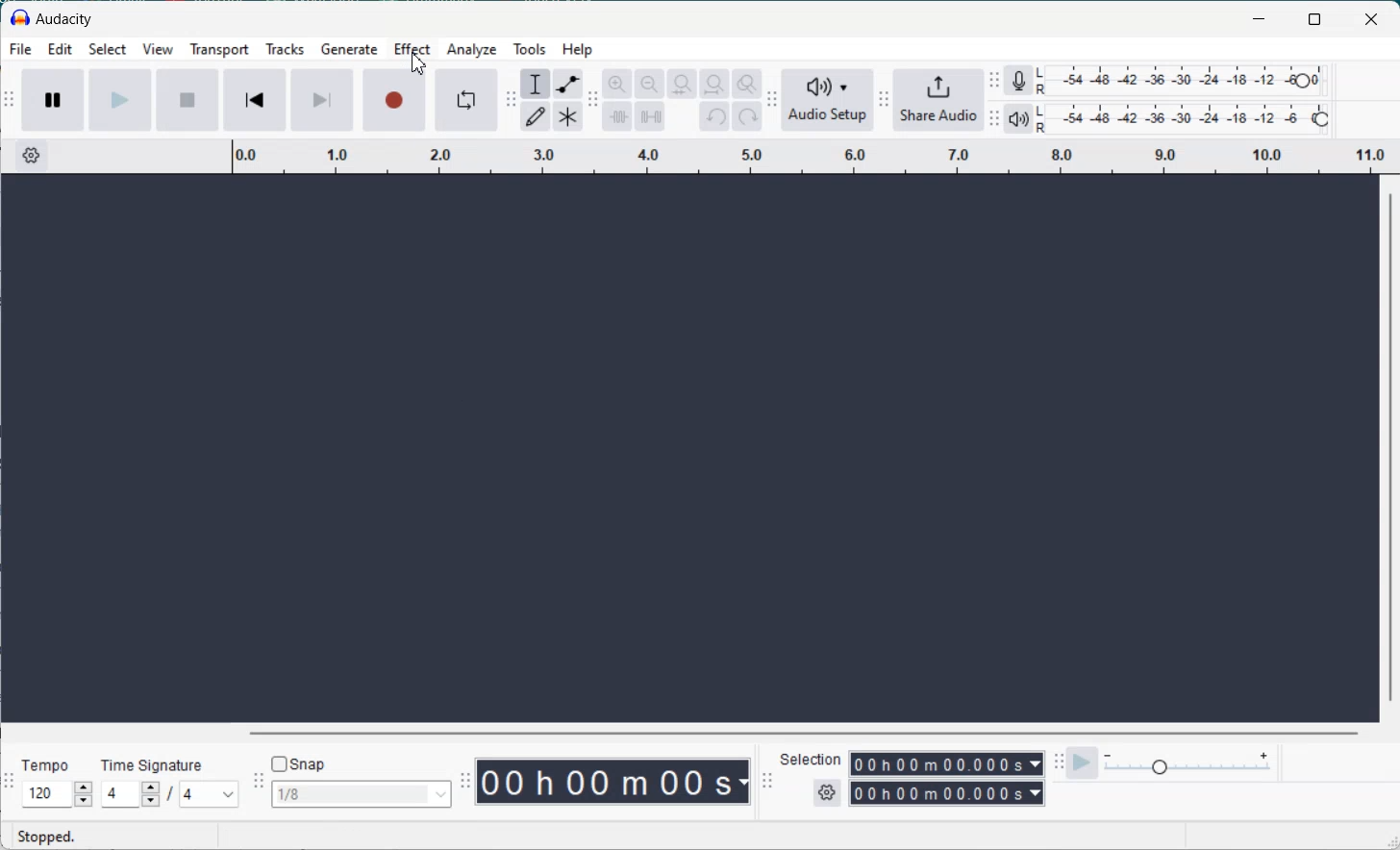  Describe the element at coordinates (57, 794) in the screenshot. I see `Tempo Settings` at that location.